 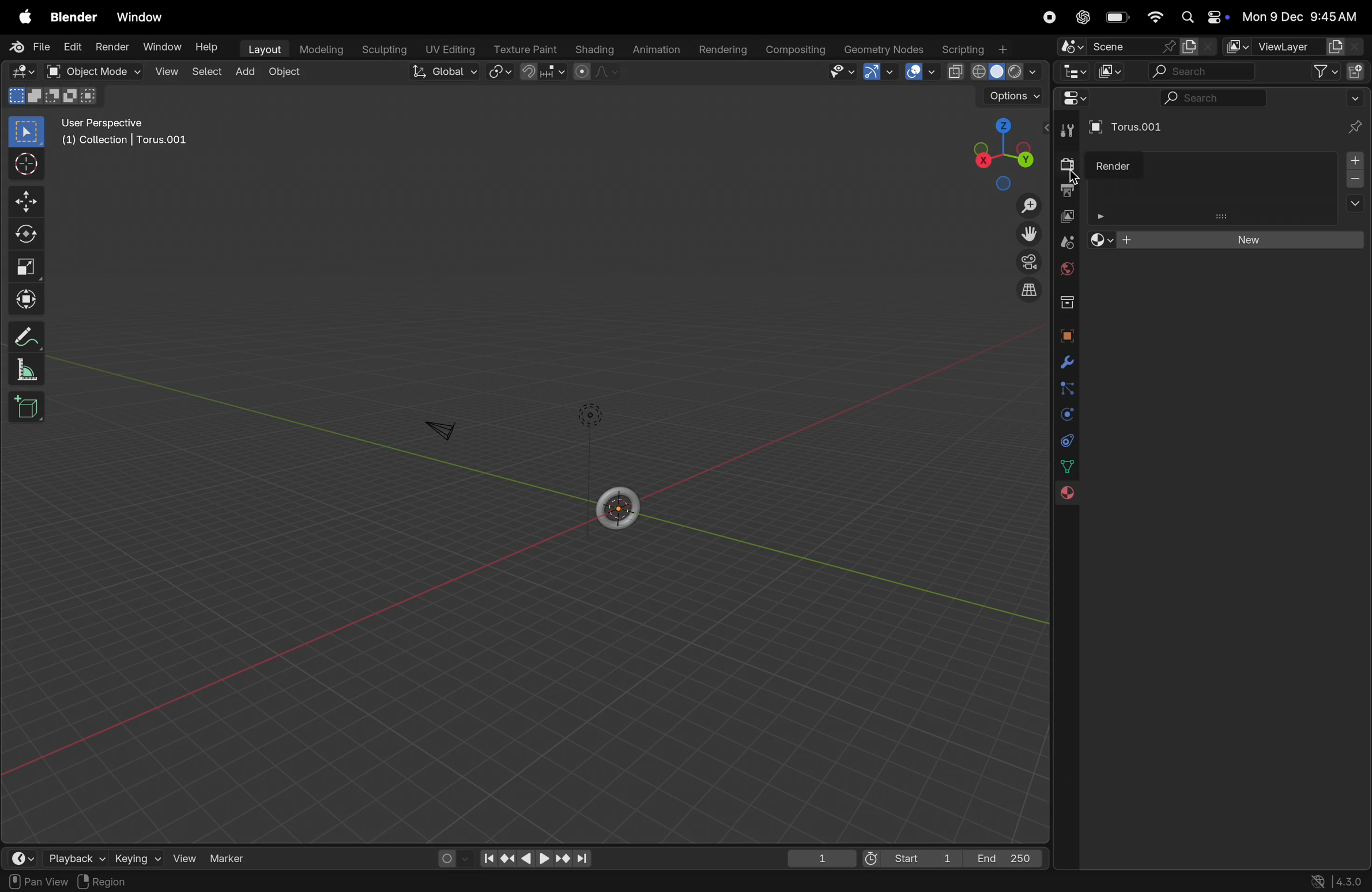 I want to click on view layer, so click(x=1294, y=46).